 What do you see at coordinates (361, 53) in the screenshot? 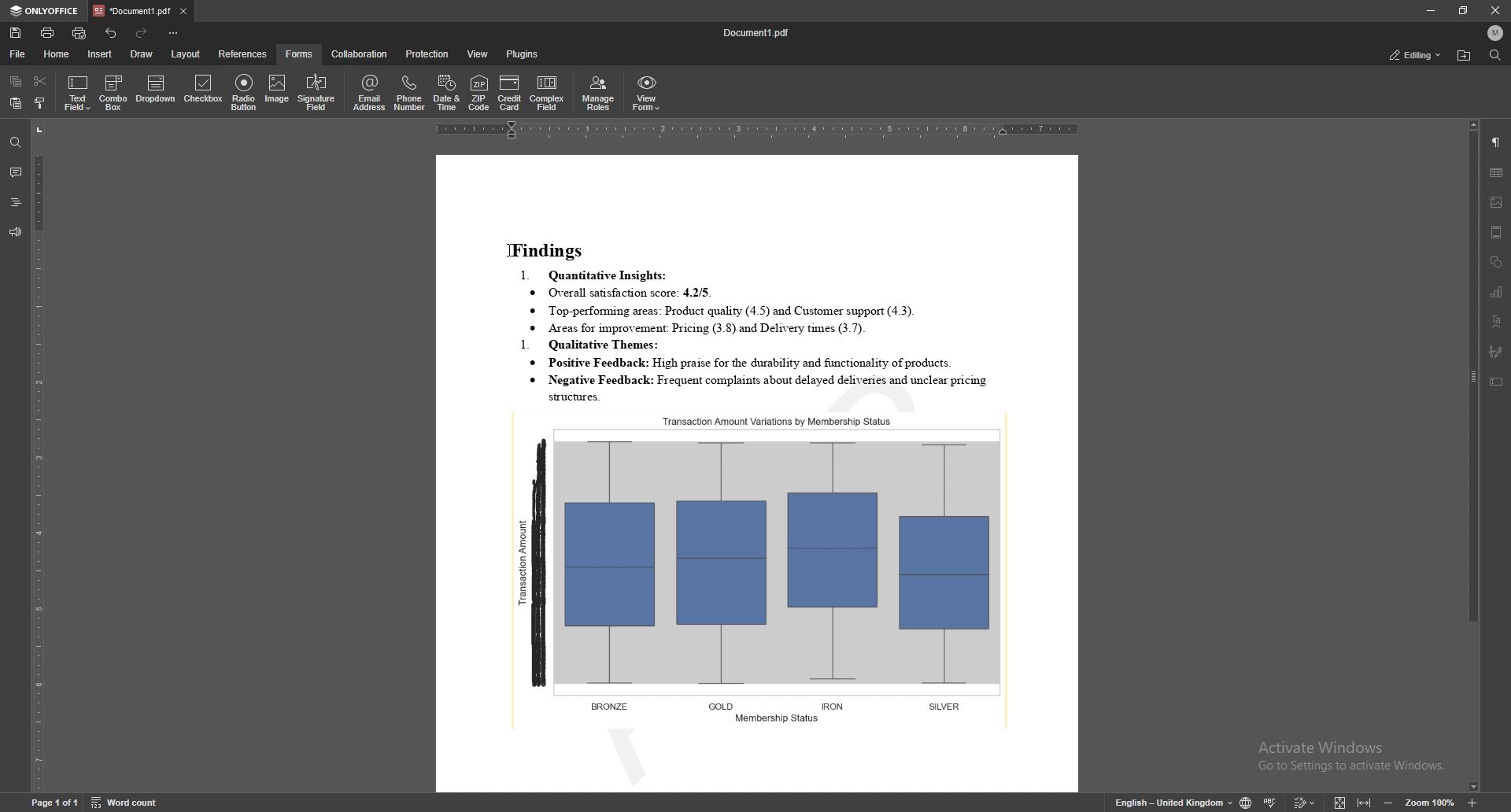
I see `collaboration` at bounding box center [361, 53].